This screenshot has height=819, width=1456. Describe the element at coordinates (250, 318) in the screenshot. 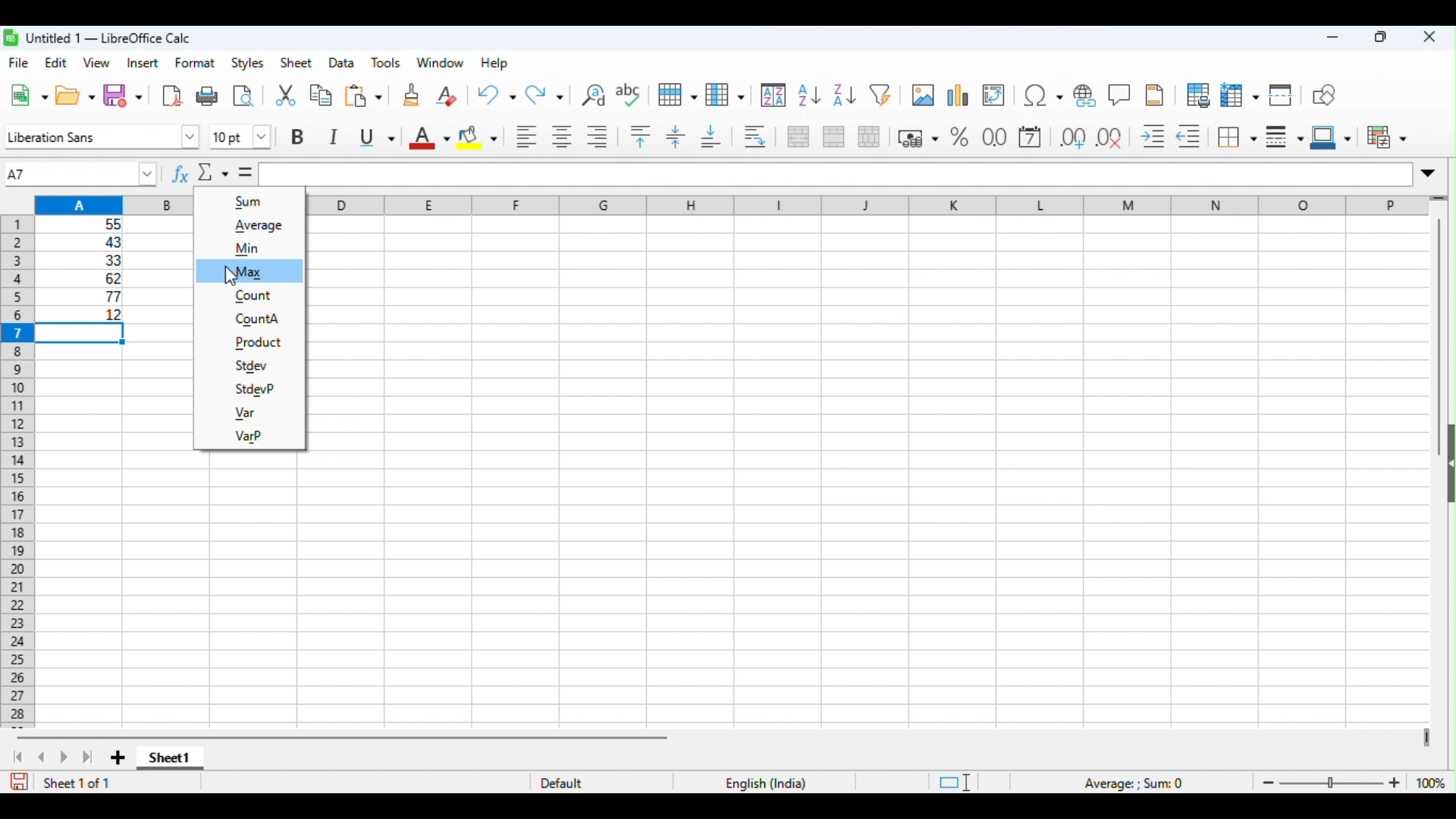

I see `countA` at that location.